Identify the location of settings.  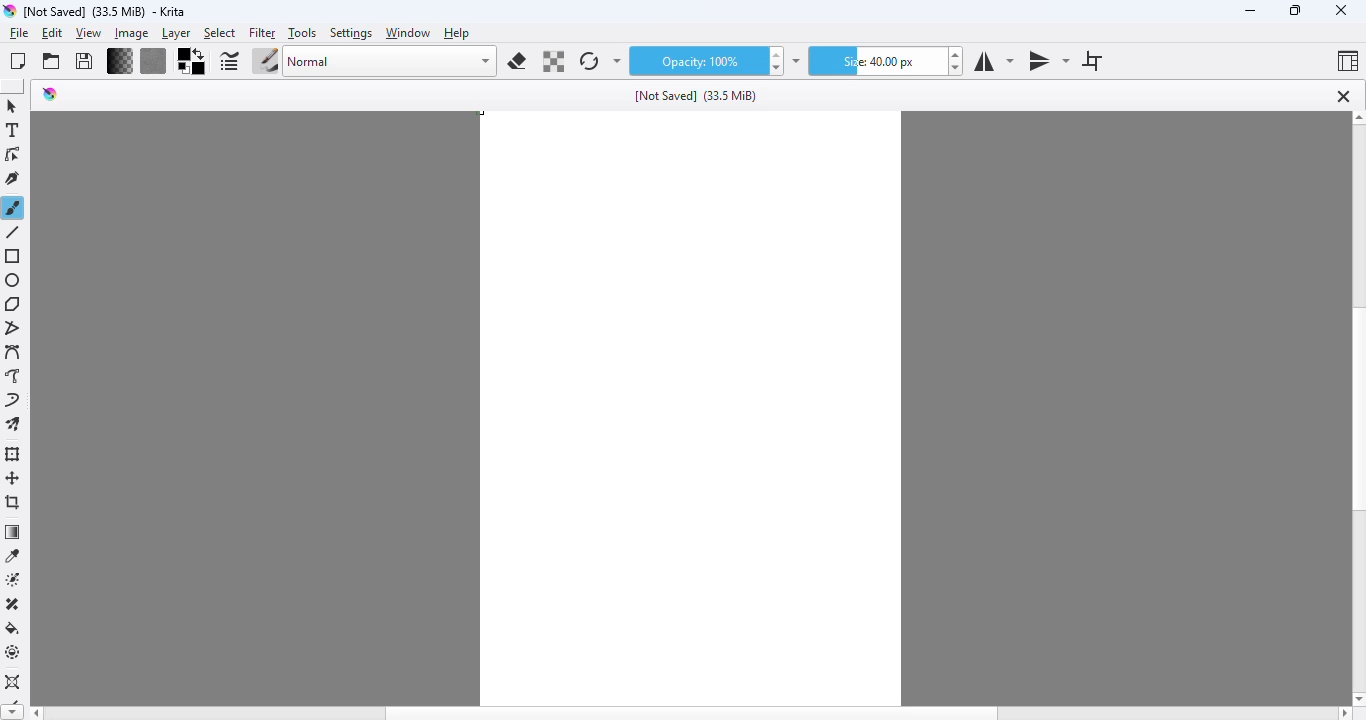
(353, 32).